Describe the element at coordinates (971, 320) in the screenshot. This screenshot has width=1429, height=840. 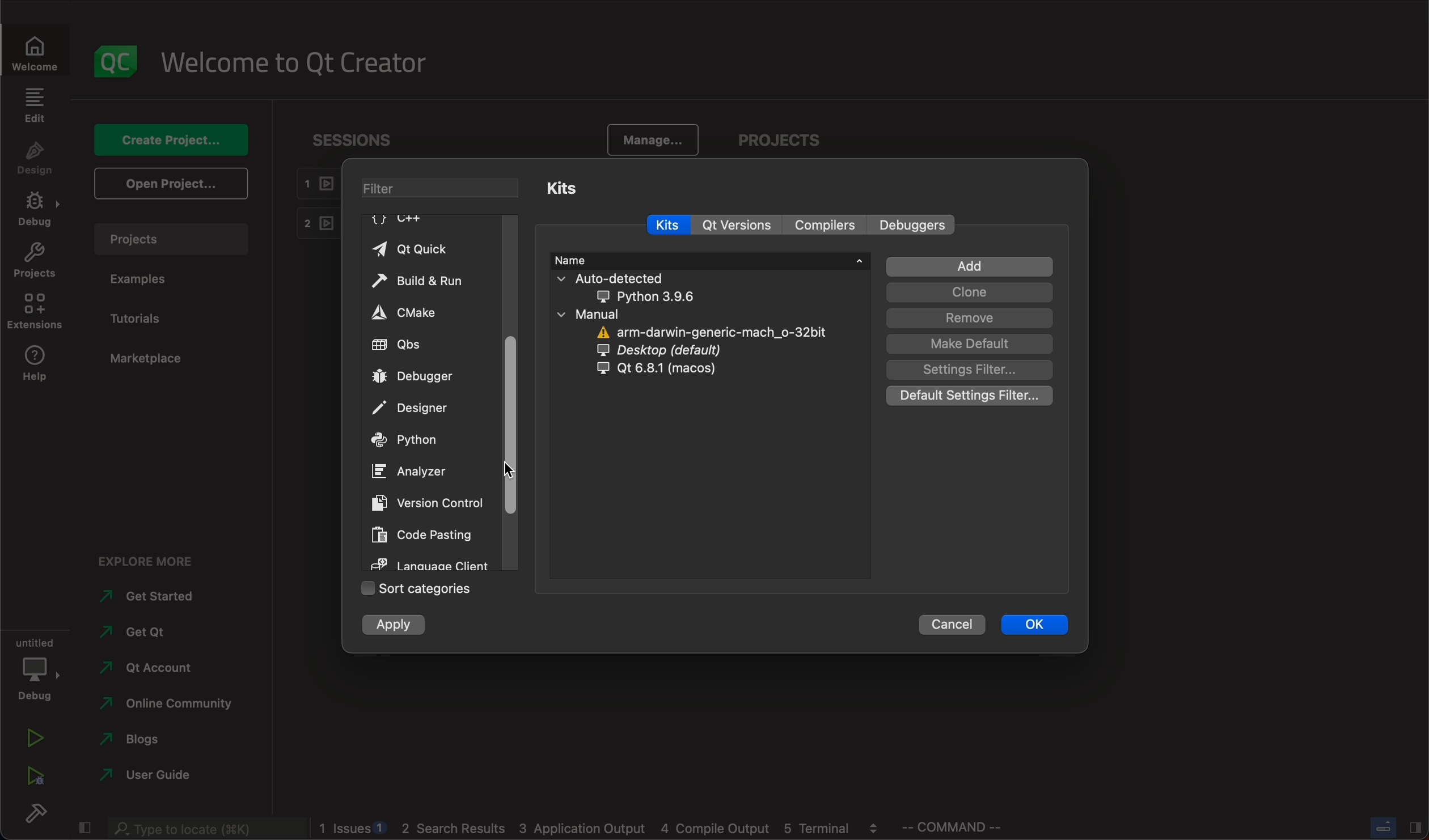
I see `remove` at that location.